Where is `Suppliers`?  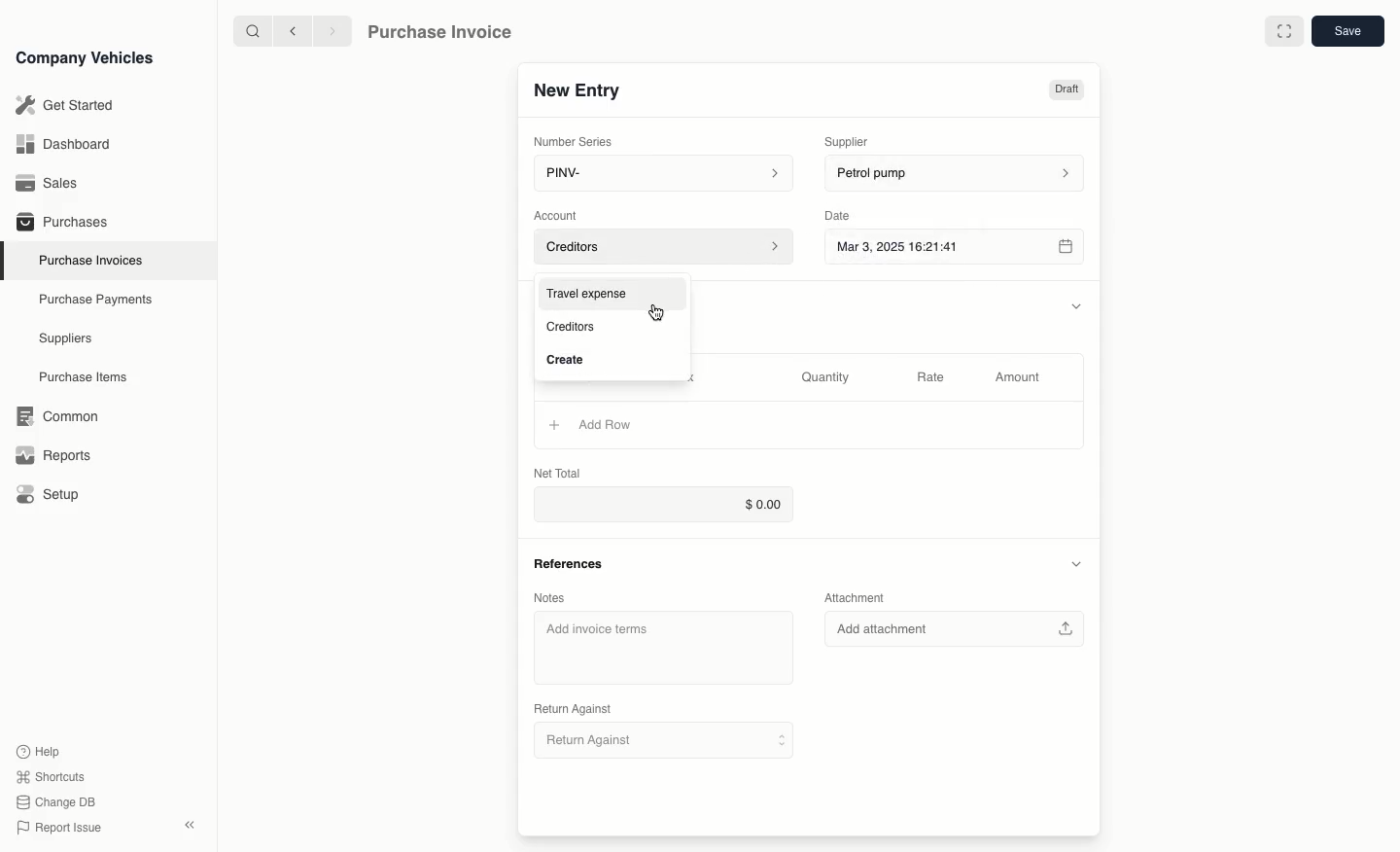
Suppliers is located at coordinates (64, 339).